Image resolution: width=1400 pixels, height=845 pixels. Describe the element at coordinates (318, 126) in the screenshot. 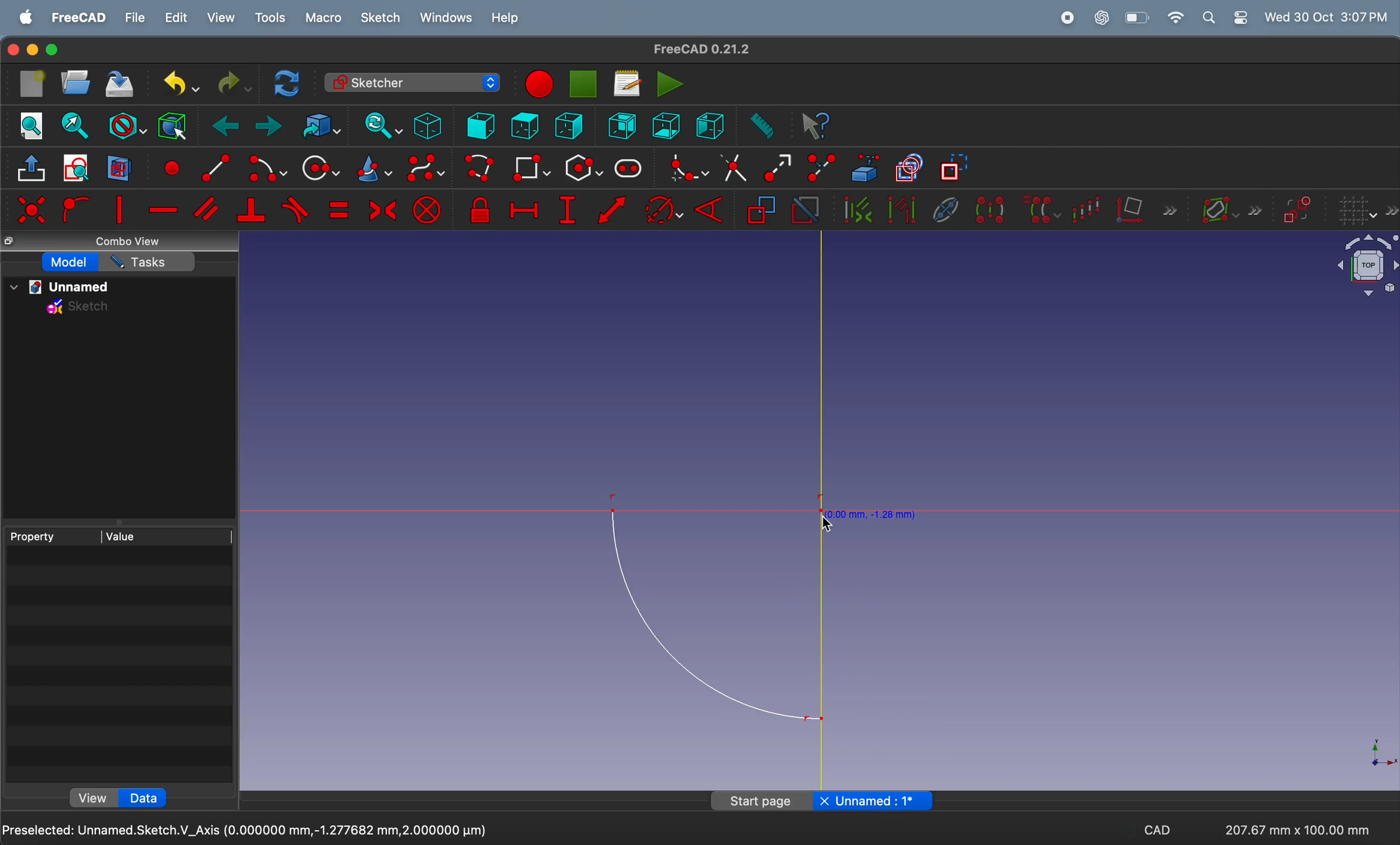

I see `go to toggled object` at that location.